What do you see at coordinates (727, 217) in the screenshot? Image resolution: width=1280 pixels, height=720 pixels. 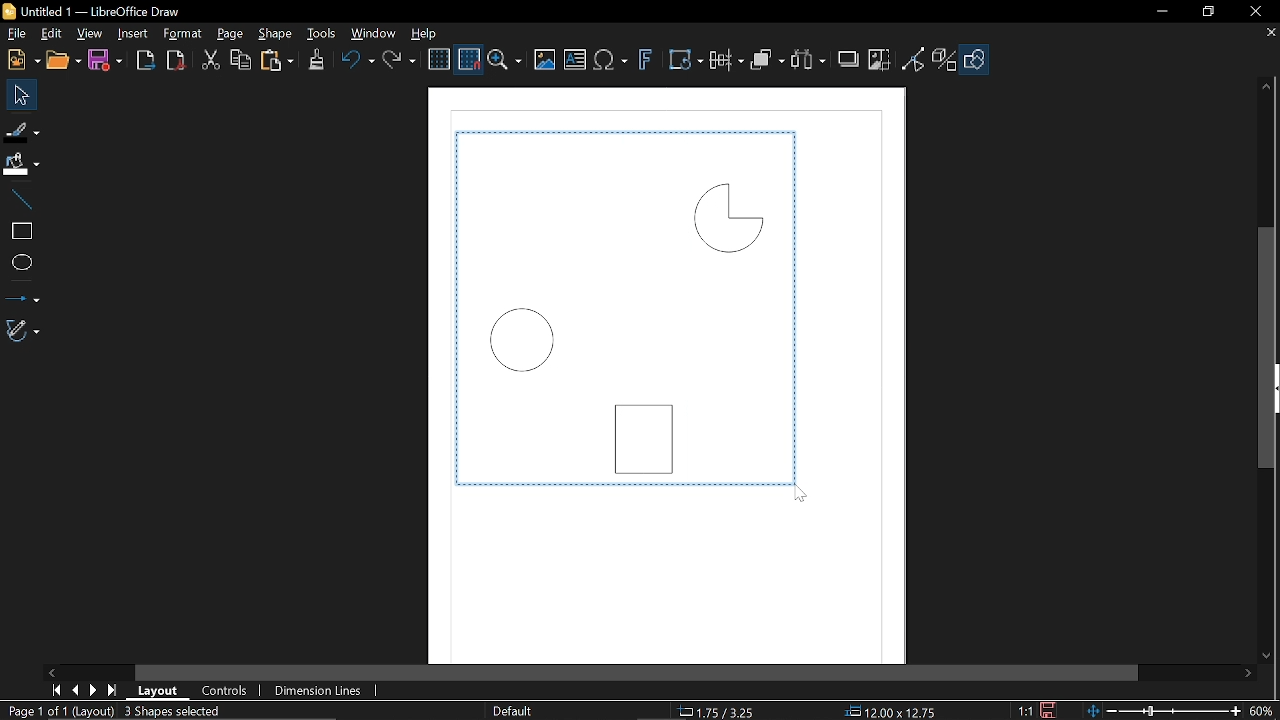 I see `Quarter circle` at bounding box center [727, 217].